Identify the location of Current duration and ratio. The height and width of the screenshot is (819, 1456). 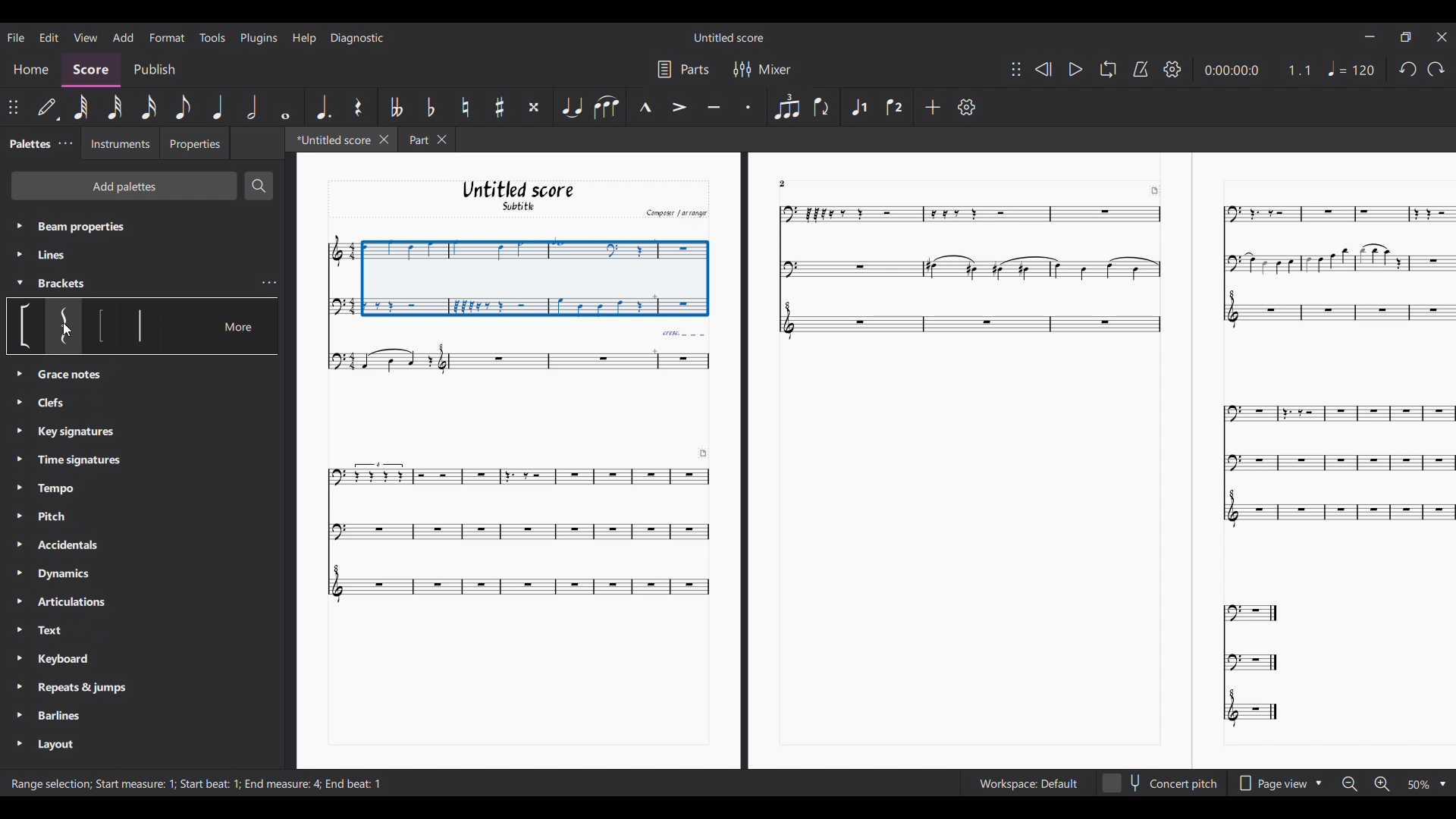
(1258, 70).